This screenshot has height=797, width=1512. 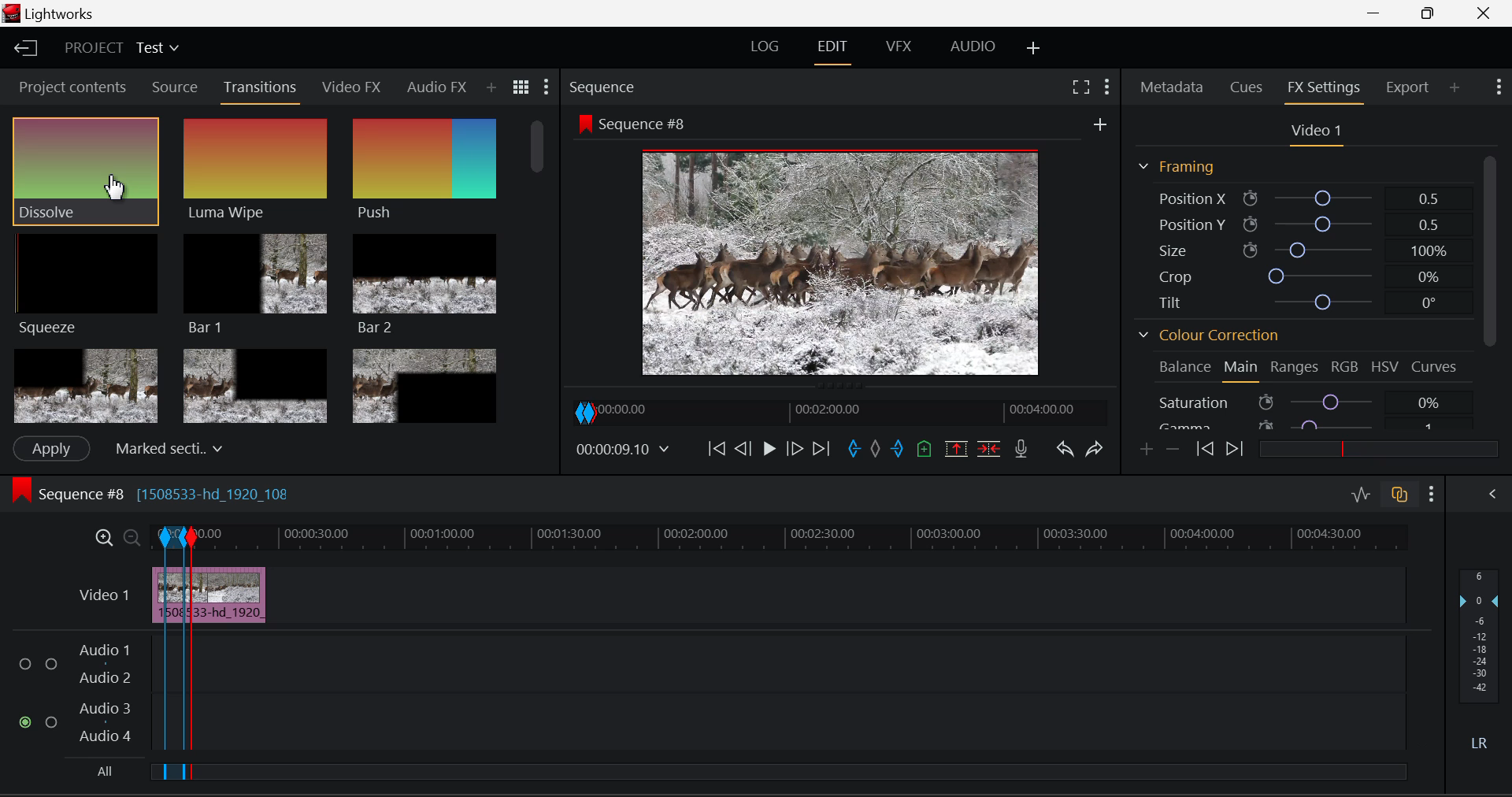 I want to click on Go Forward, so click(x=795, y=450).